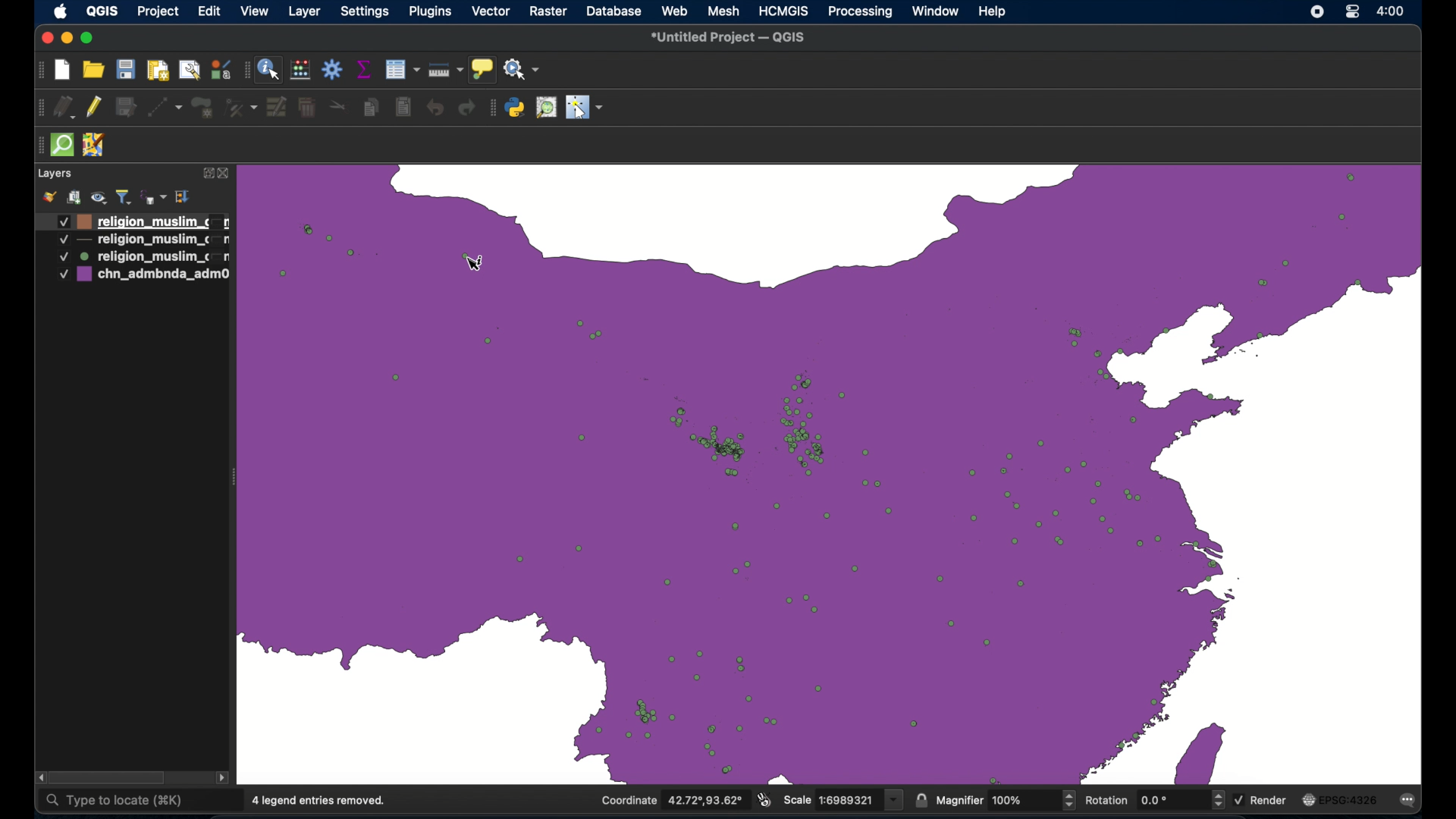 The height and width of the screenshot is (819, 1456). I want to click on switches mouse to configurable pointer, so click(585, 108).